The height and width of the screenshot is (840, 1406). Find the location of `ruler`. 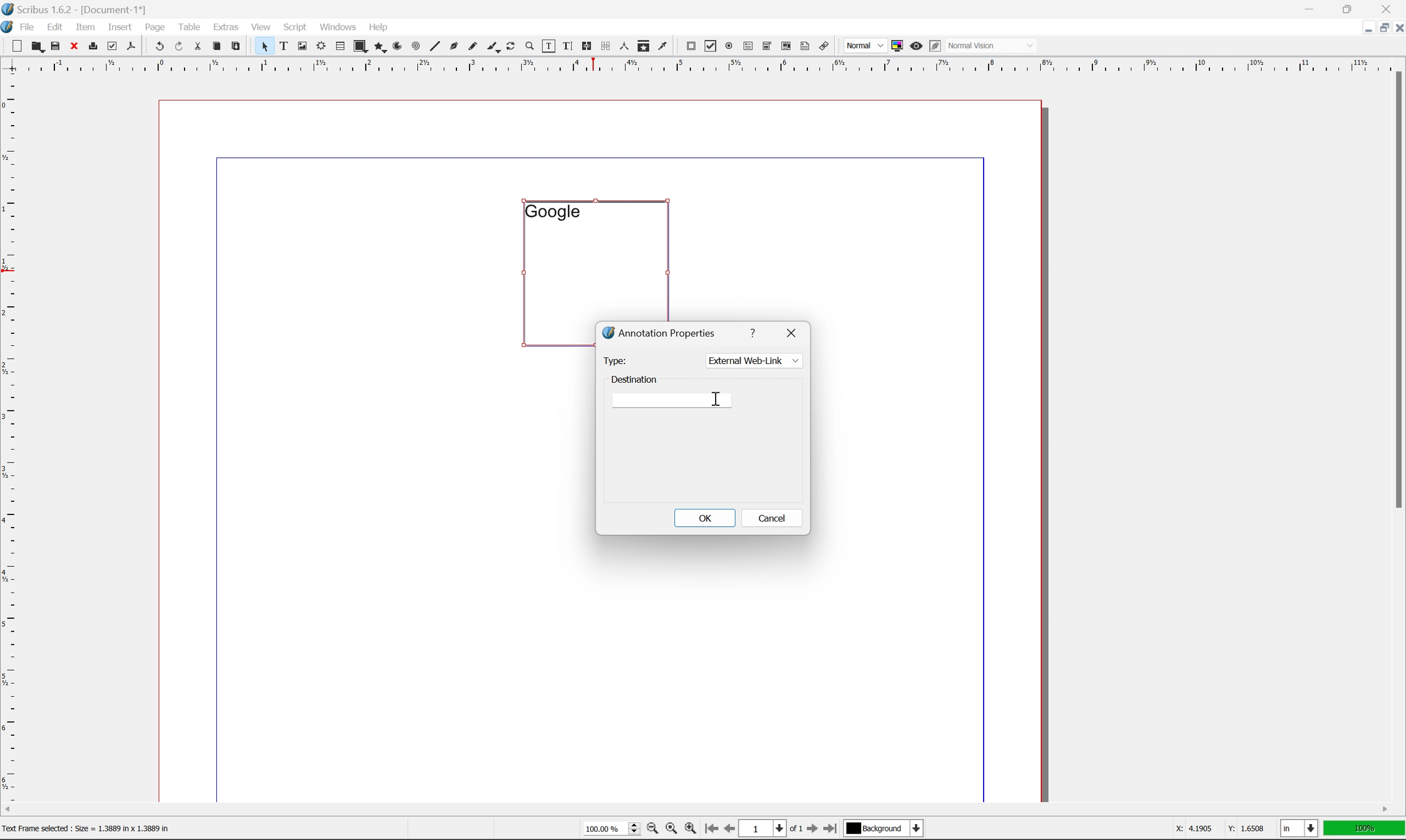

ruler is located at coordinates (702, 64).